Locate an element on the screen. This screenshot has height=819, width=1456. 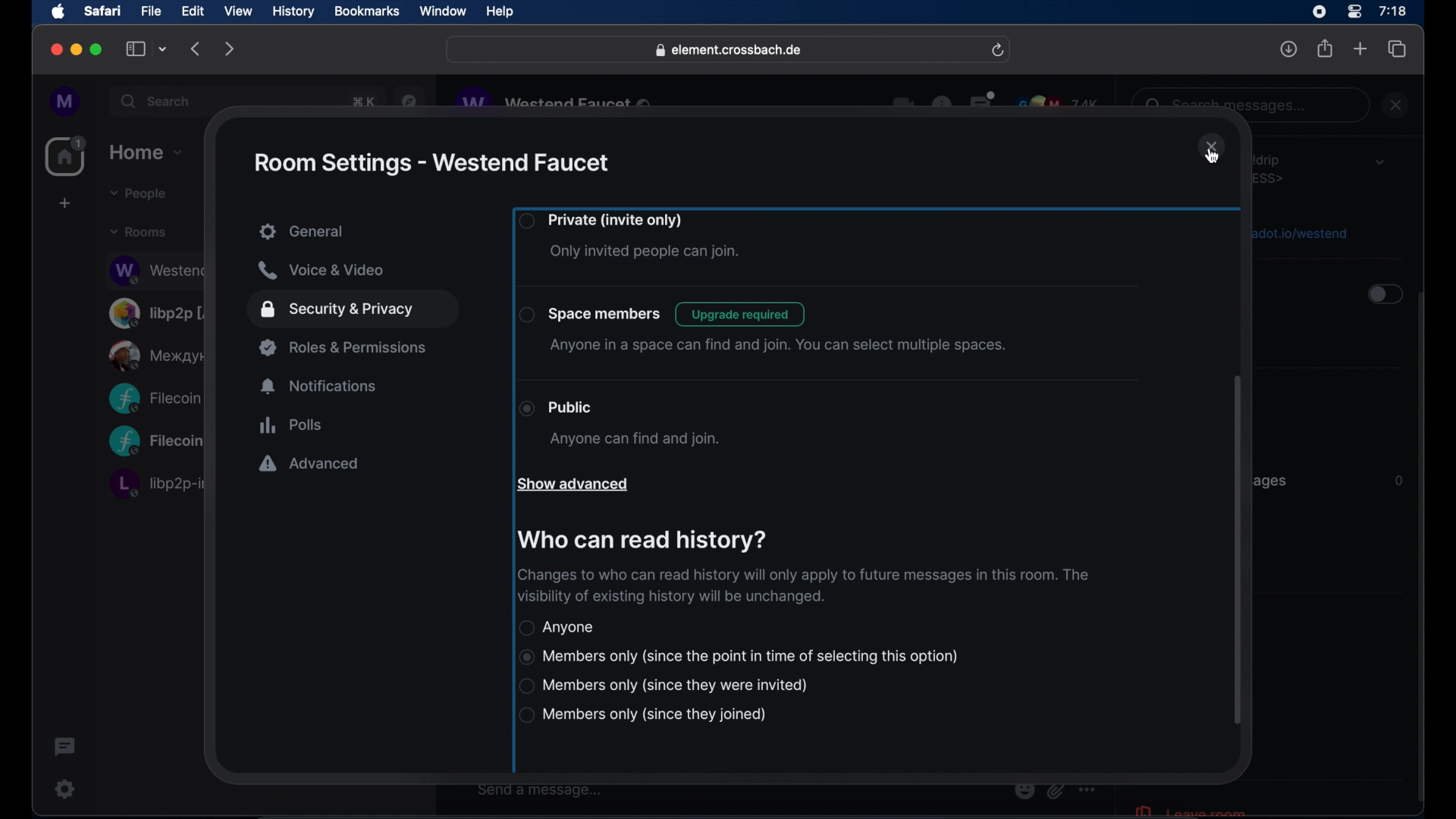
history is located at coordinates (293, 12).